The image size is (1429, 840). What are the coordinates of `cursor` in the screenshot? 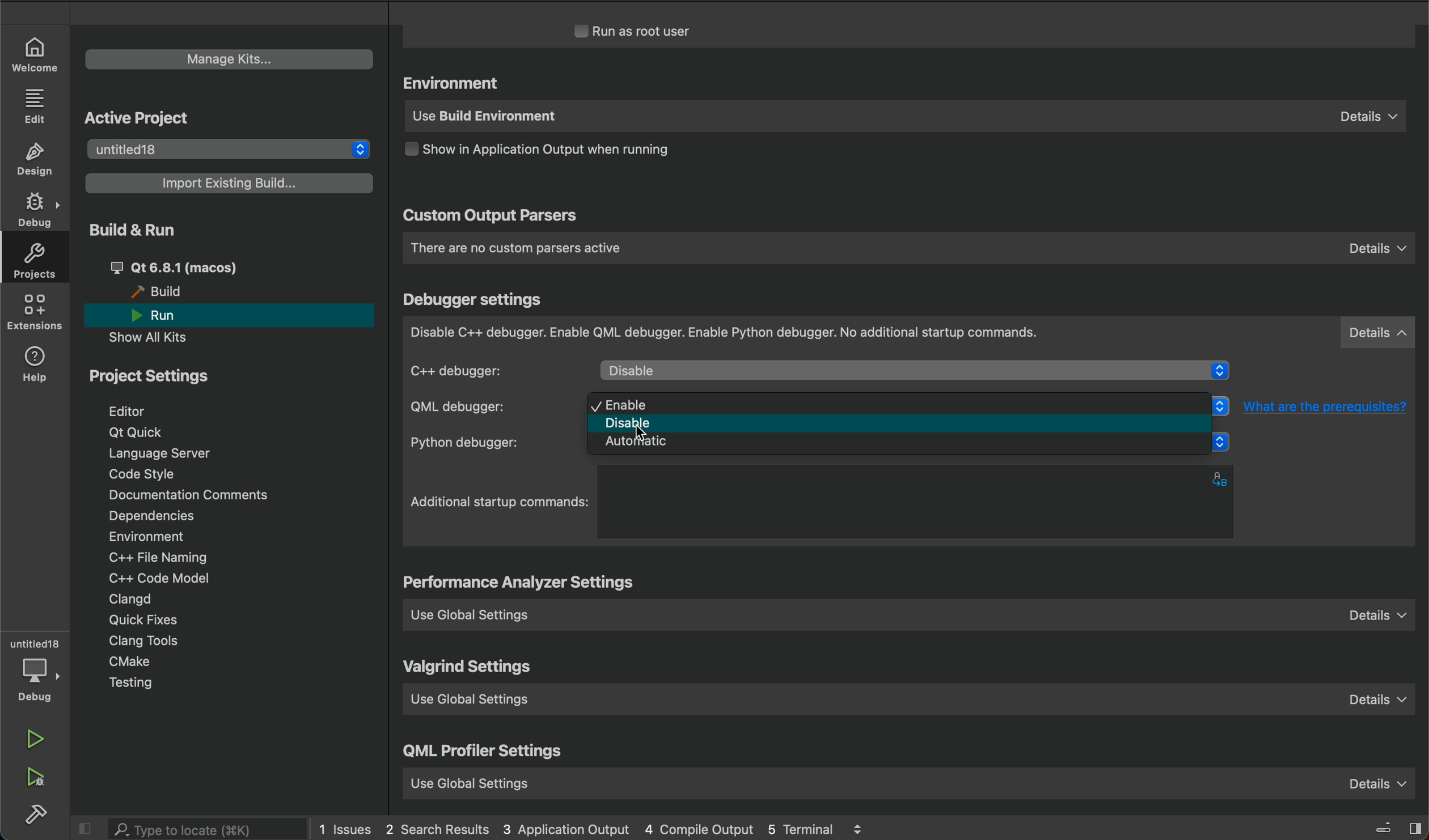 It's located at (650, 431).